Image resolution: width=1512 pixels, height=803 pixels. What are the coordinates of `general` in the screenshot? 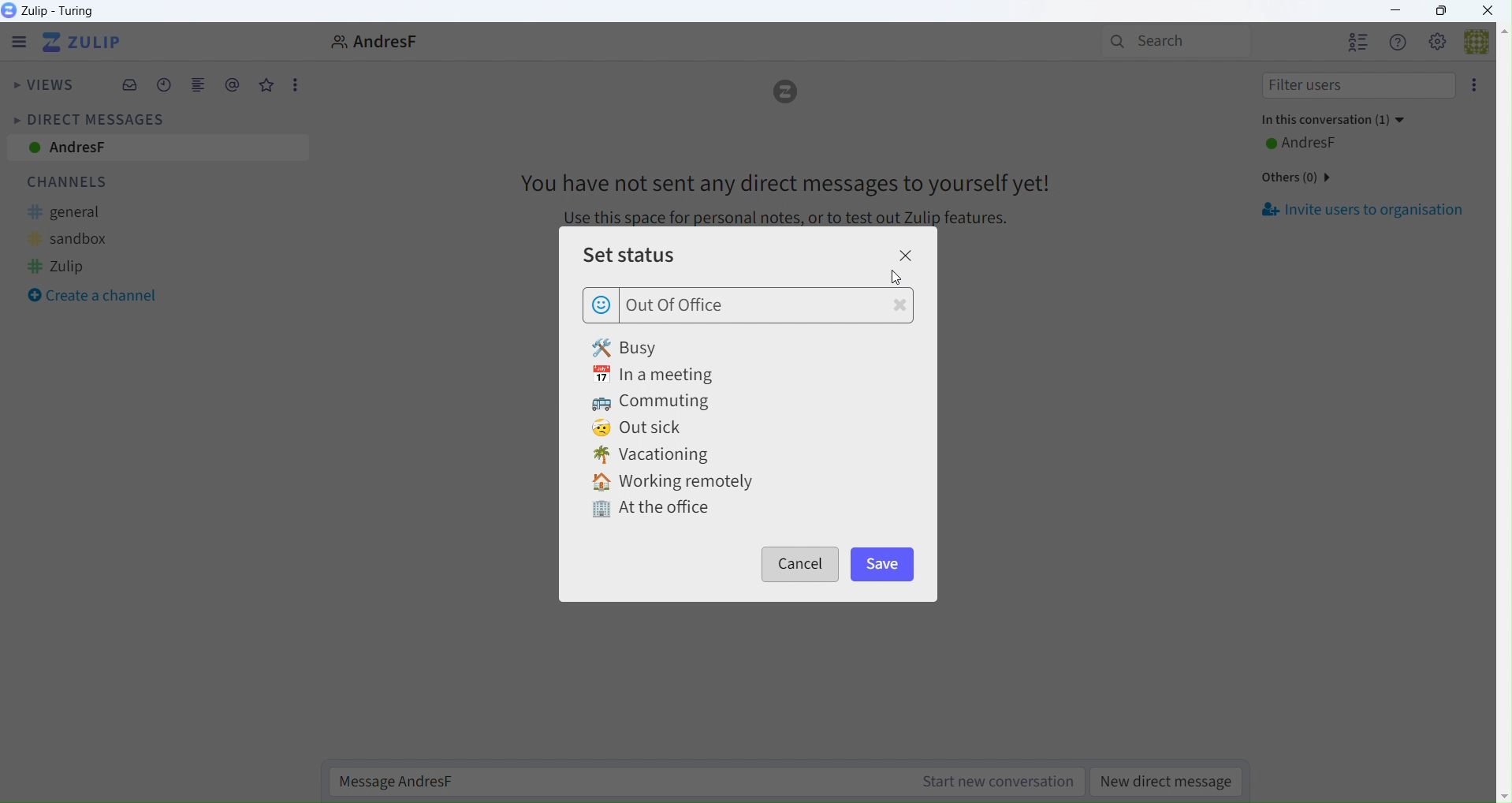 It's located at (76, 213).